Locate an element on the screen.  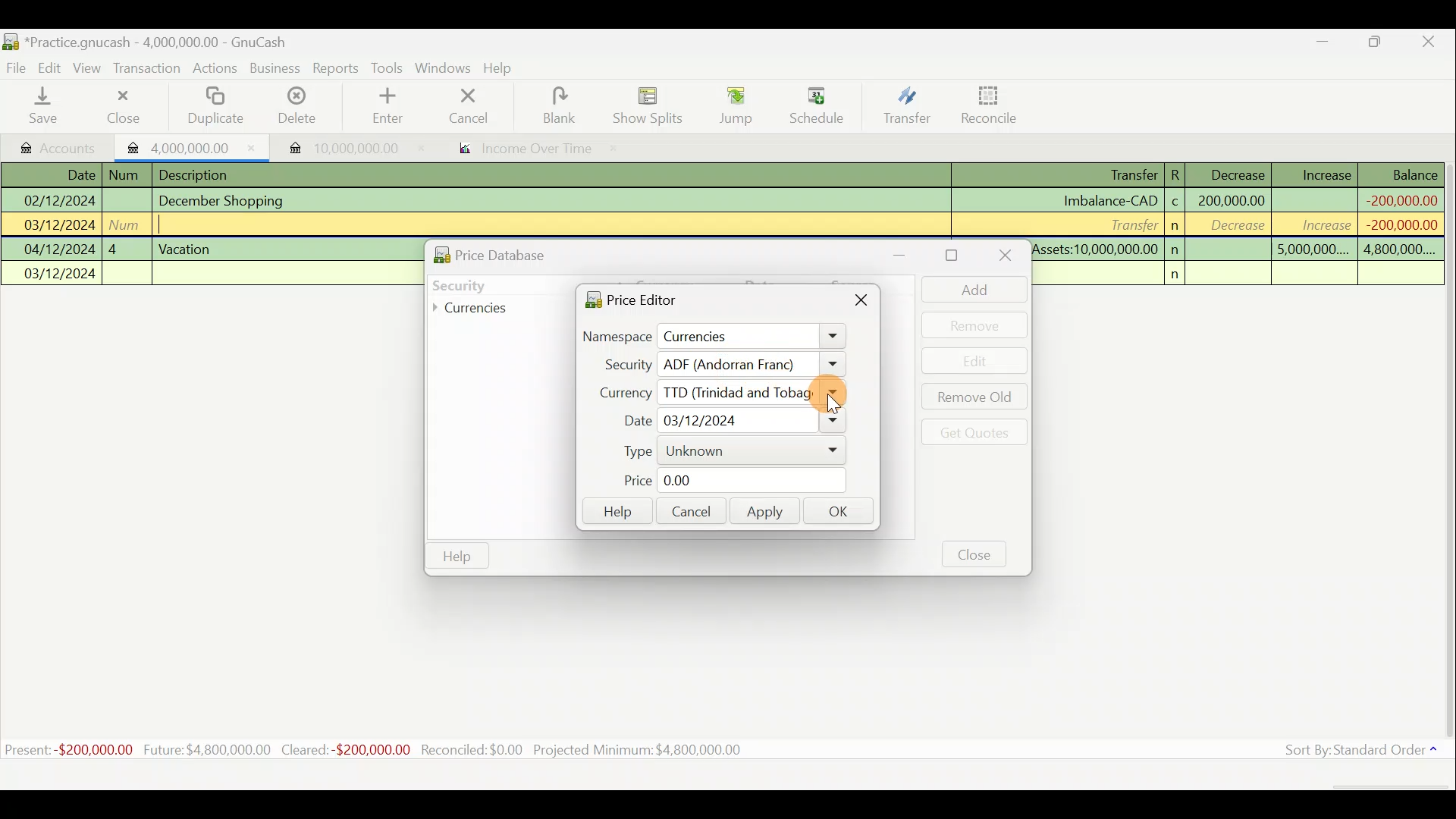
Close is located at coordinates (1433, 42).